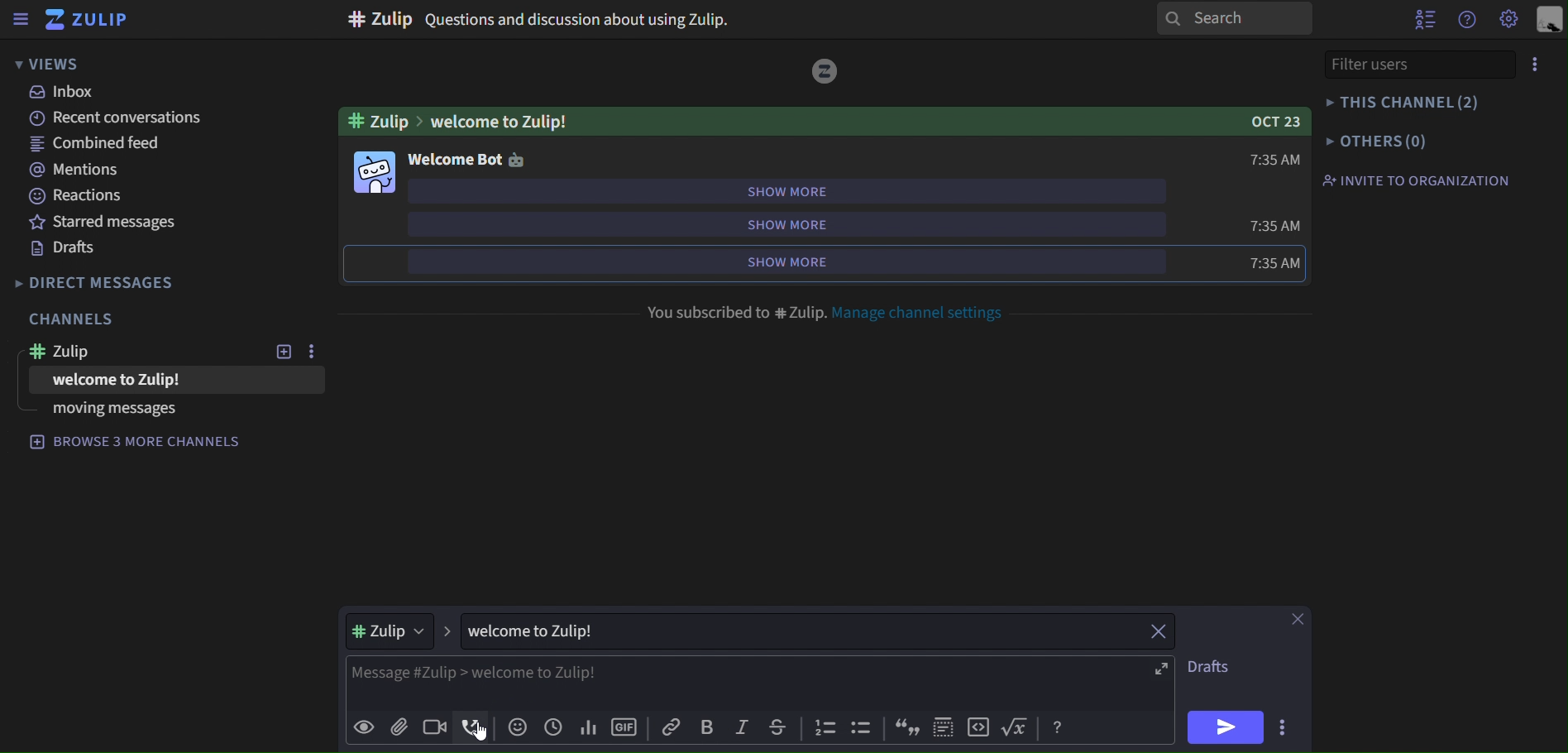 This screenshot has height=753, width=1568. What do you see at coordinates (1552, 18) in the screenshot?
I see `personal menu` at bounding box center [1552, 18].